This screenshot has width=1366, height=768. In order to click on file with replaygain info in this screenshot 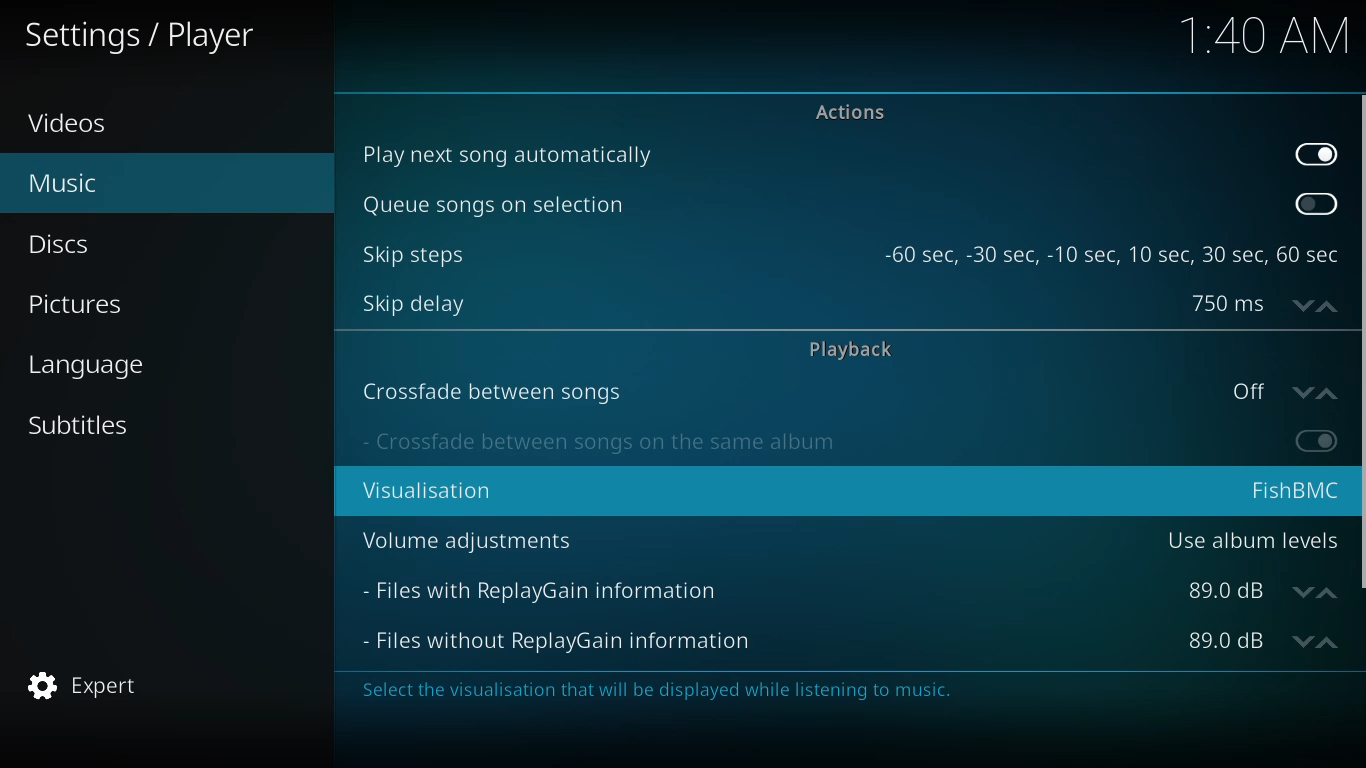, I will do `click(545, 589)`.